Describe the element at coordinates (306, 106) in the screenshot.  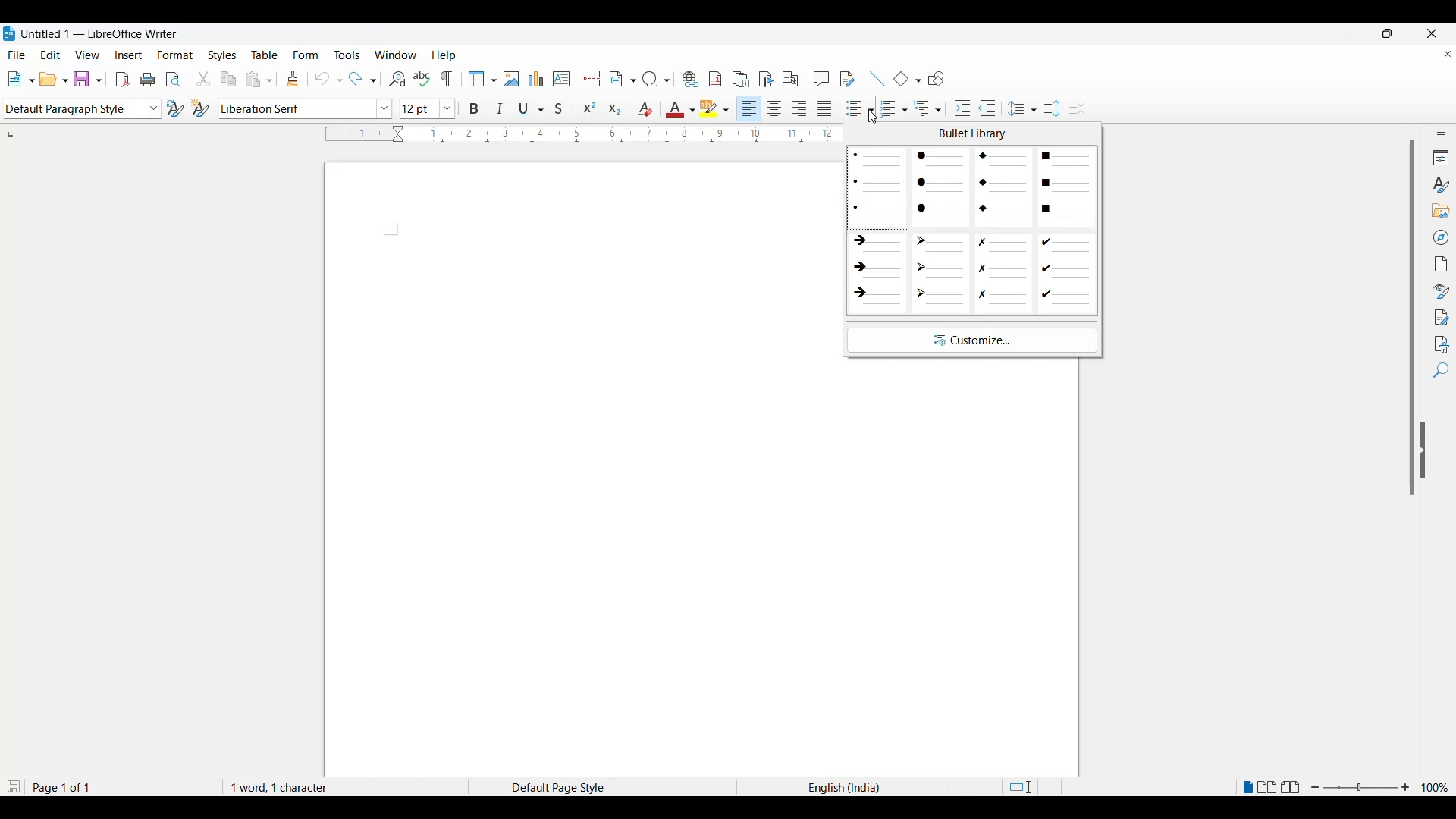
I see `font style` at that location.